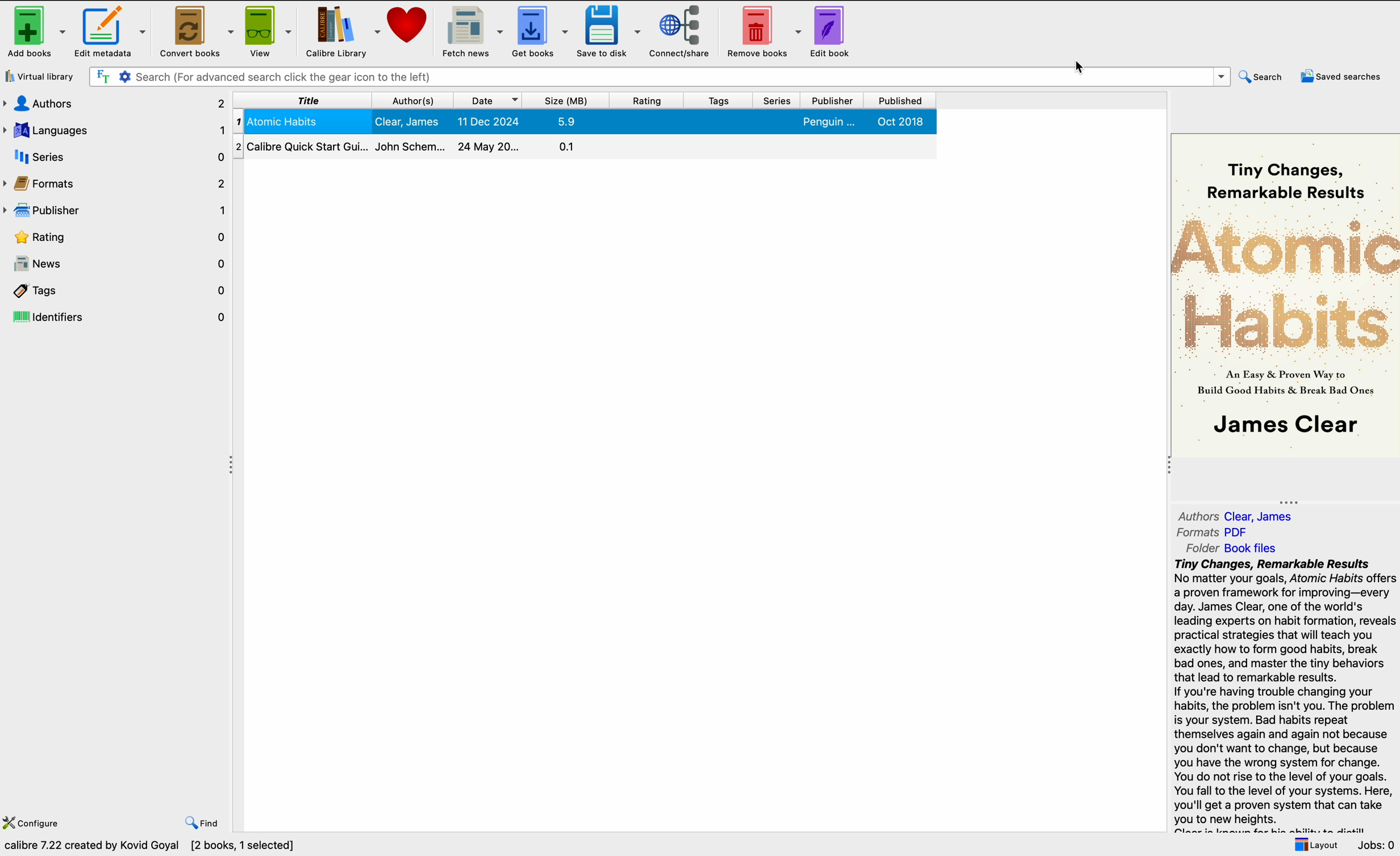  I want to click on save to disk, so click(608, 32).